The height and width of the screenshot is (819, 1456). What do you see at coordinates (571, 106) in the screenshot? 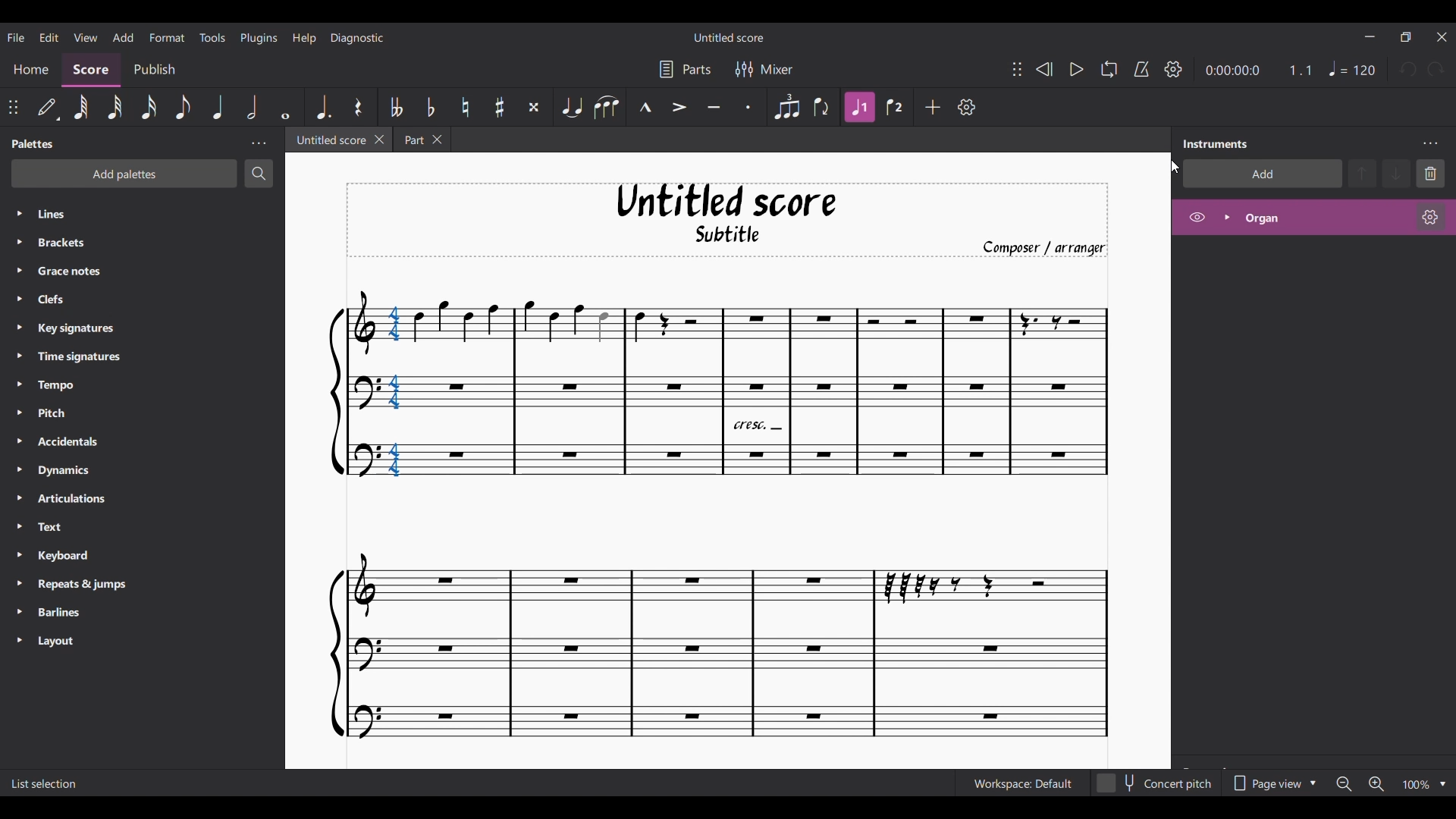
I see `Tie` at bounding box center [571, 106].